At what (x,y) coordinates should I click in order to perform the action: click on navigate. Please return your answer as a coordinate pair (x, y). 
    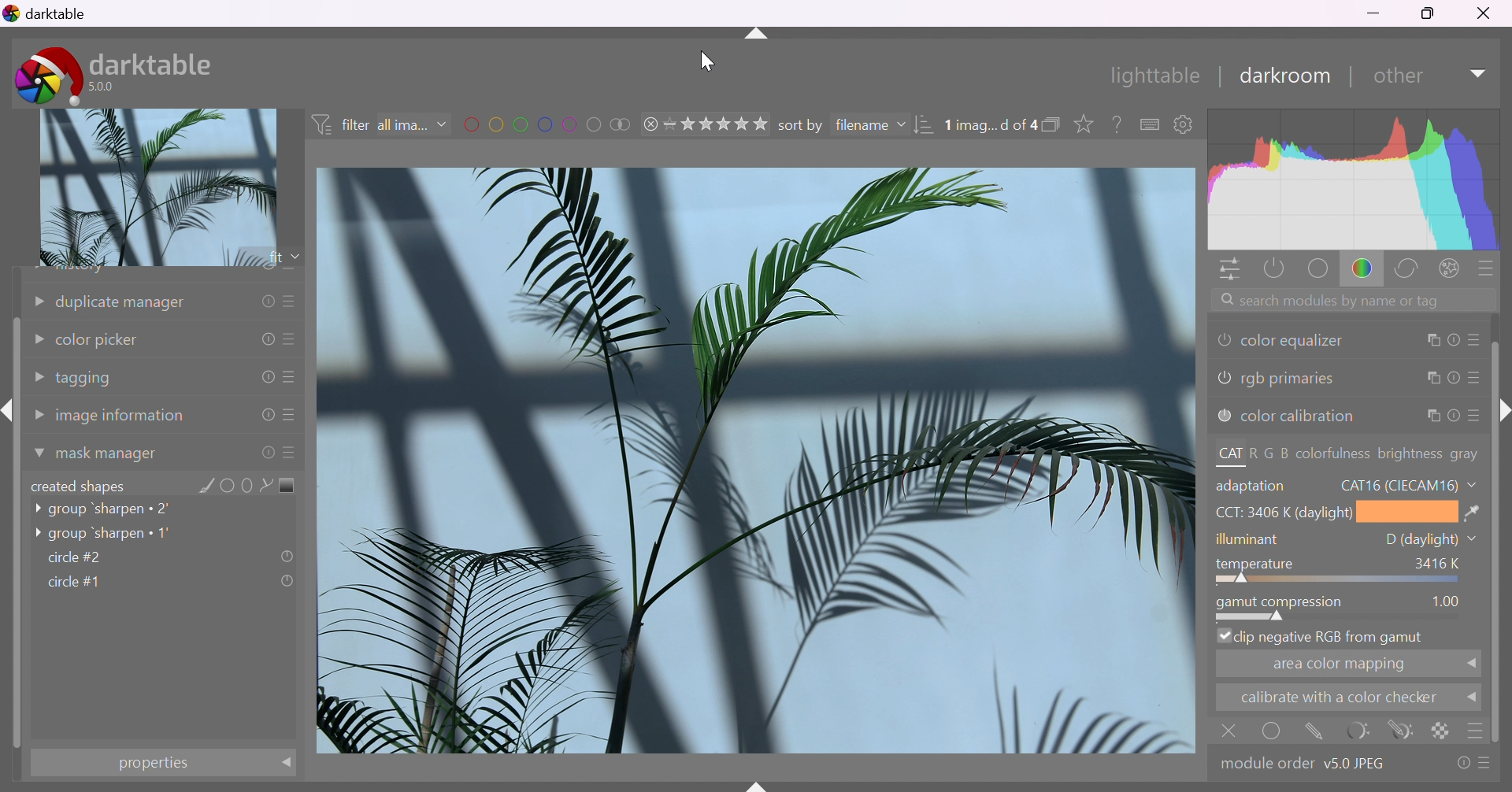
    Looking at the image, I should click on (1397, 731).